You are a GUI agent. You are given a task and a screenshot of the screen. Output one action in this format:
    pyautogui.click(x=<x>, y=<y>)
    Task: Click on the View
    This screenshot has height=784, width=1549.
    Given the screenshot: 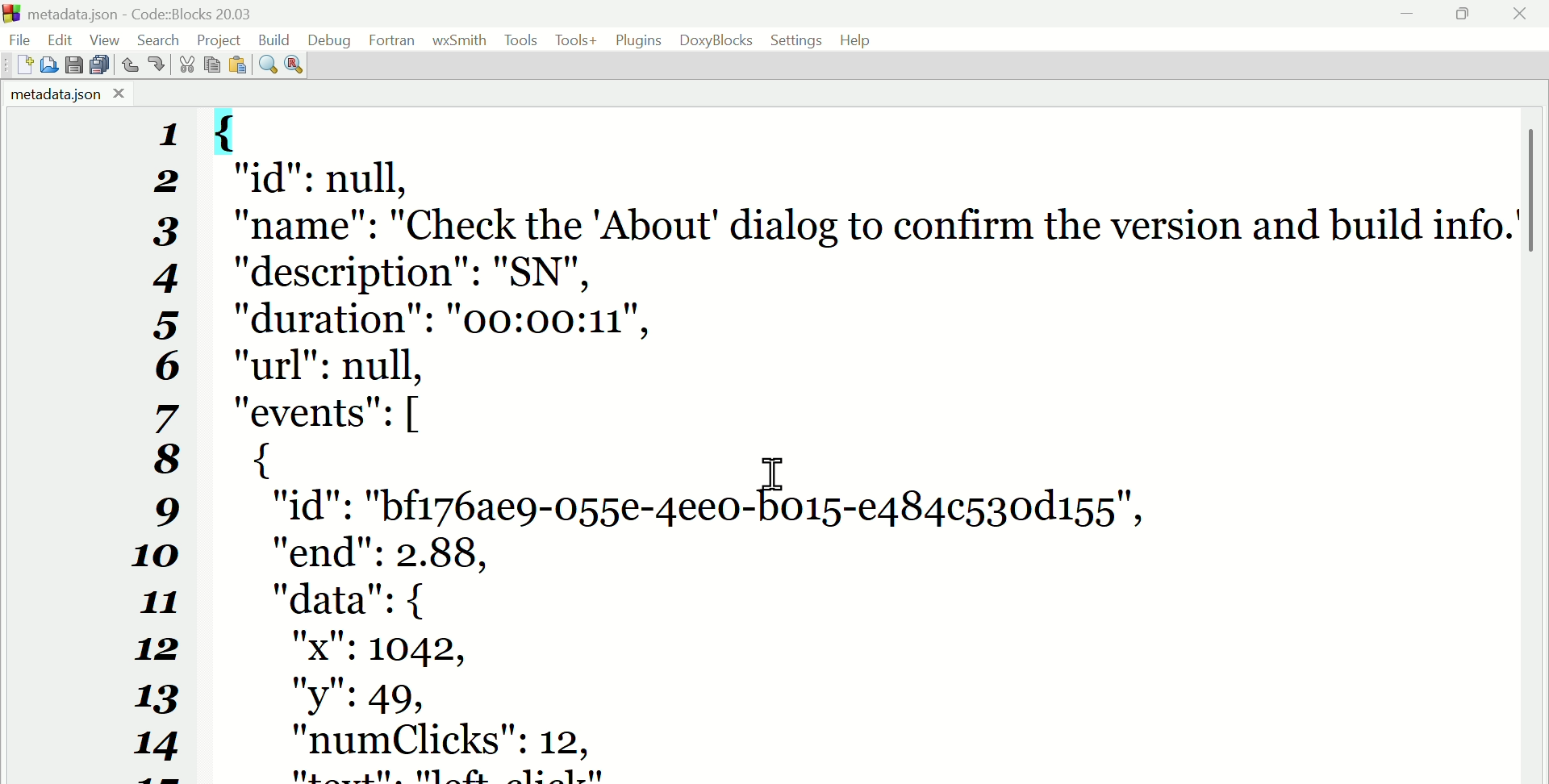 What is the action you would take?
    pyautogui.click(x=107, y=39)
    